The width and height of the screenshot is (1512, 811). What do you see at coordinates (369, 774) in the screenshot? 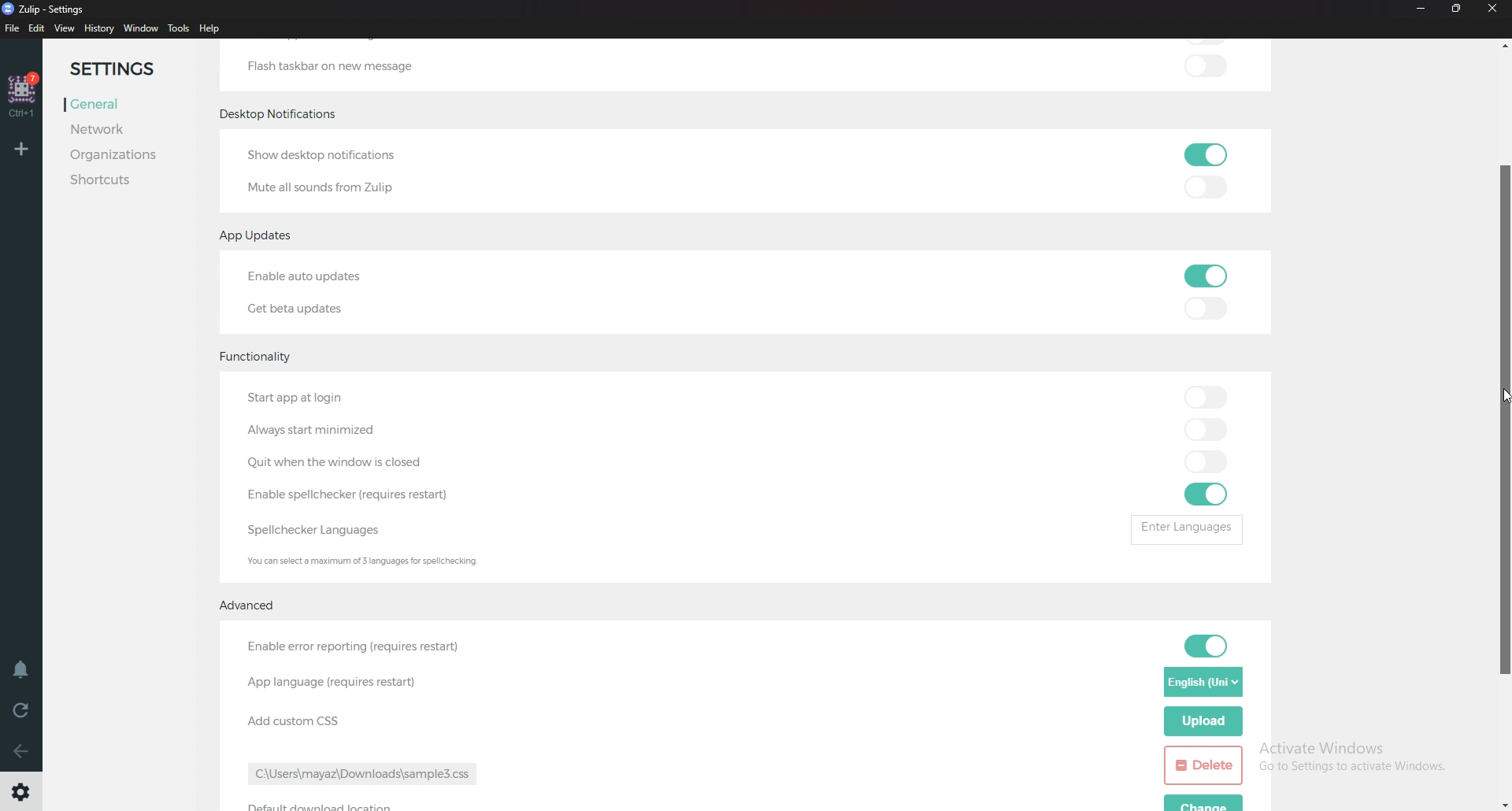
I see `path` at bounding box center [369, 774].